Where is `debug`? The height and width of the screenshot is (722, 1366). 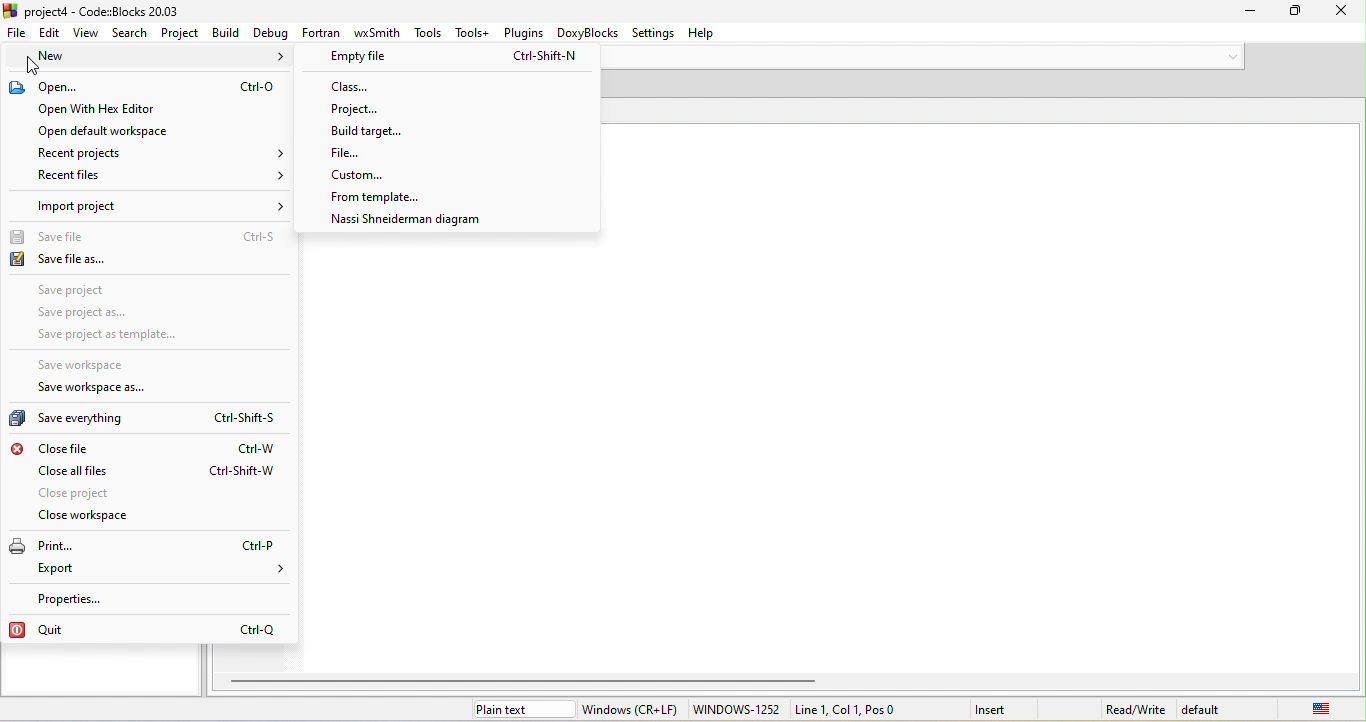 debug is located at coordinates (269, 34).